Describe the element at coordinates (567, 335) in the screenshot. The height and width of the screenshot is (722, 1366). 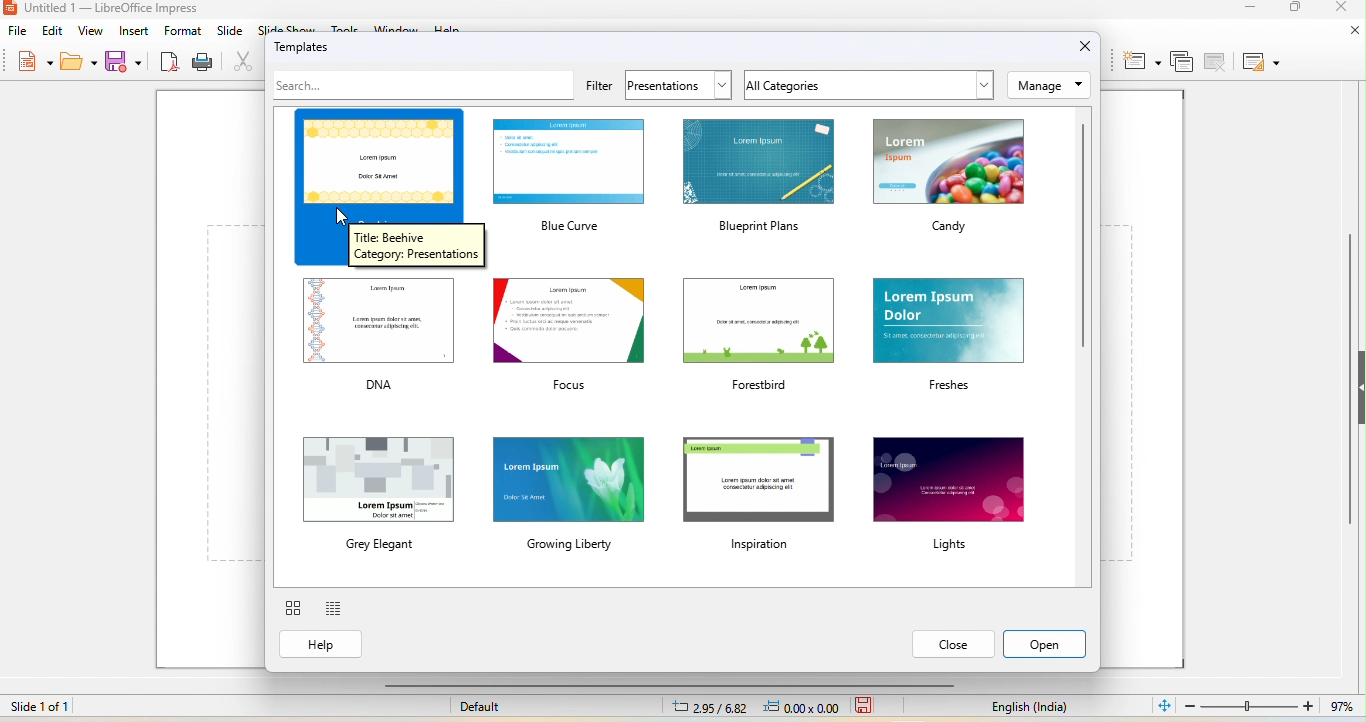
I see `focus` at that location.